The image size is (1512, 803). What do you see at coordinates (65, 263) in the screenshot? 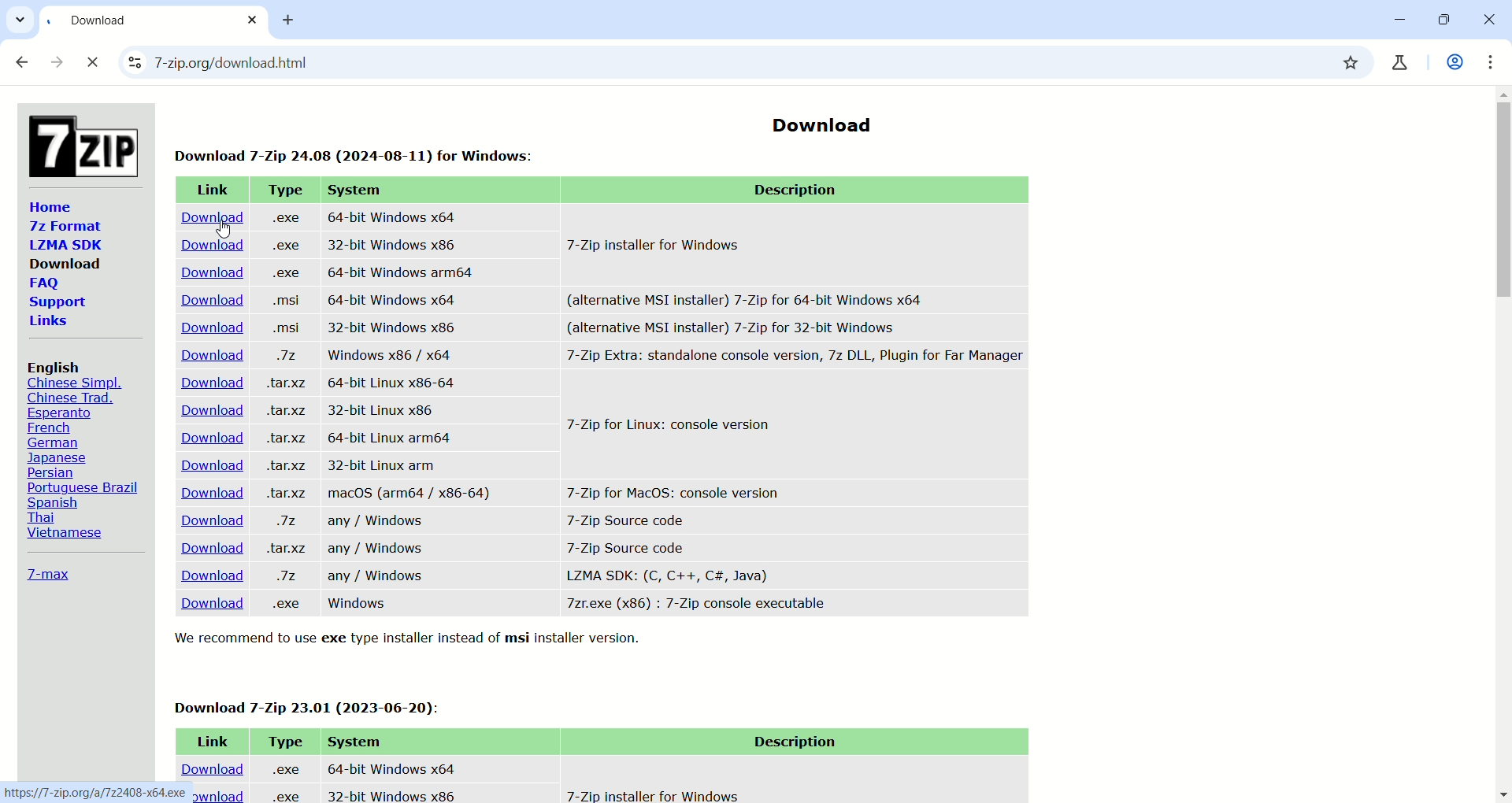
I see `Download` at bounding box center [65, 263].